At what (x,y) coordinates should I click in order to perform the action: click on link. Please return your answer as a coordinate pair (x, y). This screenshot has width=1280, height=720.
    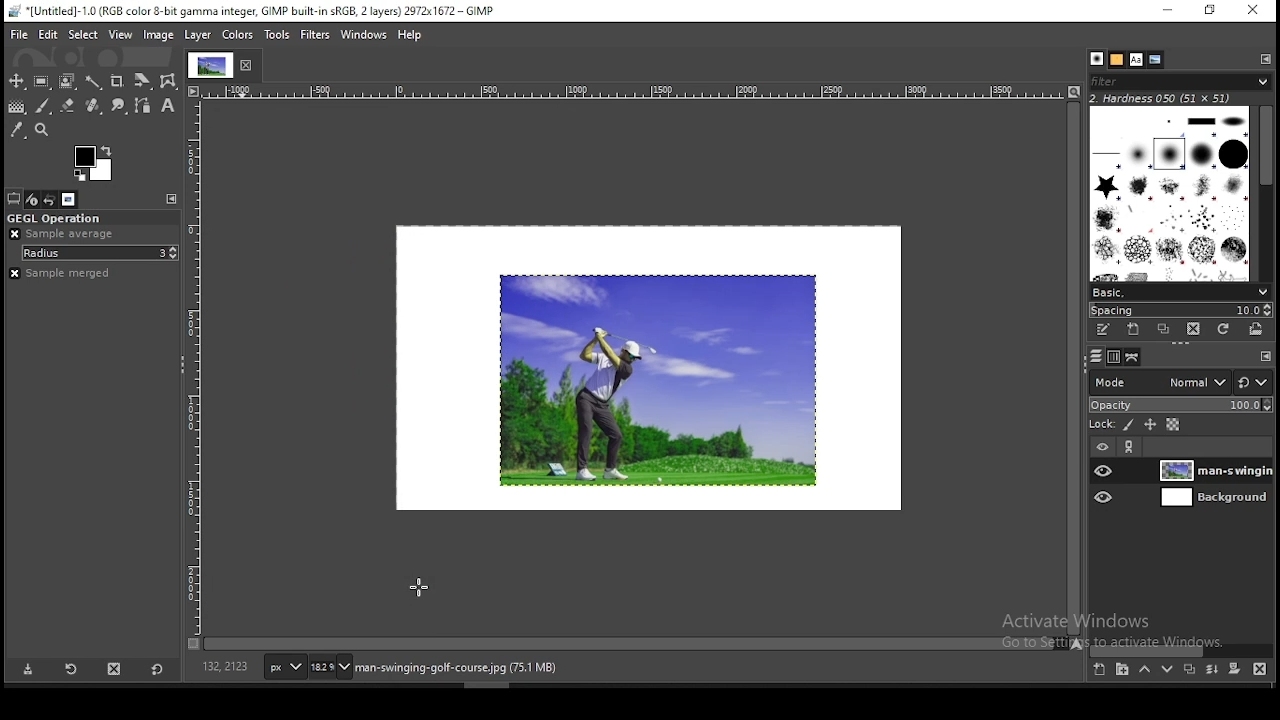
    Looking at the image, I should click on (1130, 448).